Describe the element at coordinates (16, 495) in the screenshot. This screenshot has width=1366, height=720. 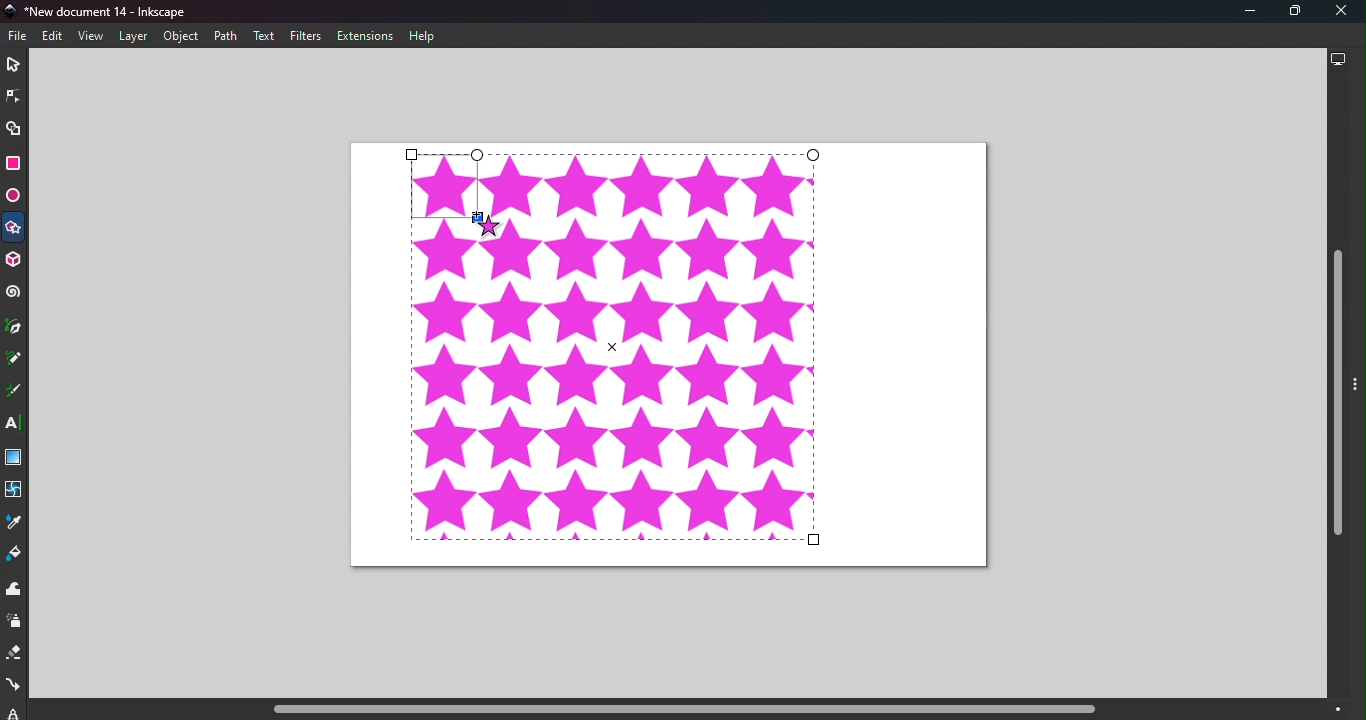
I see `Mesh tool` at that location.